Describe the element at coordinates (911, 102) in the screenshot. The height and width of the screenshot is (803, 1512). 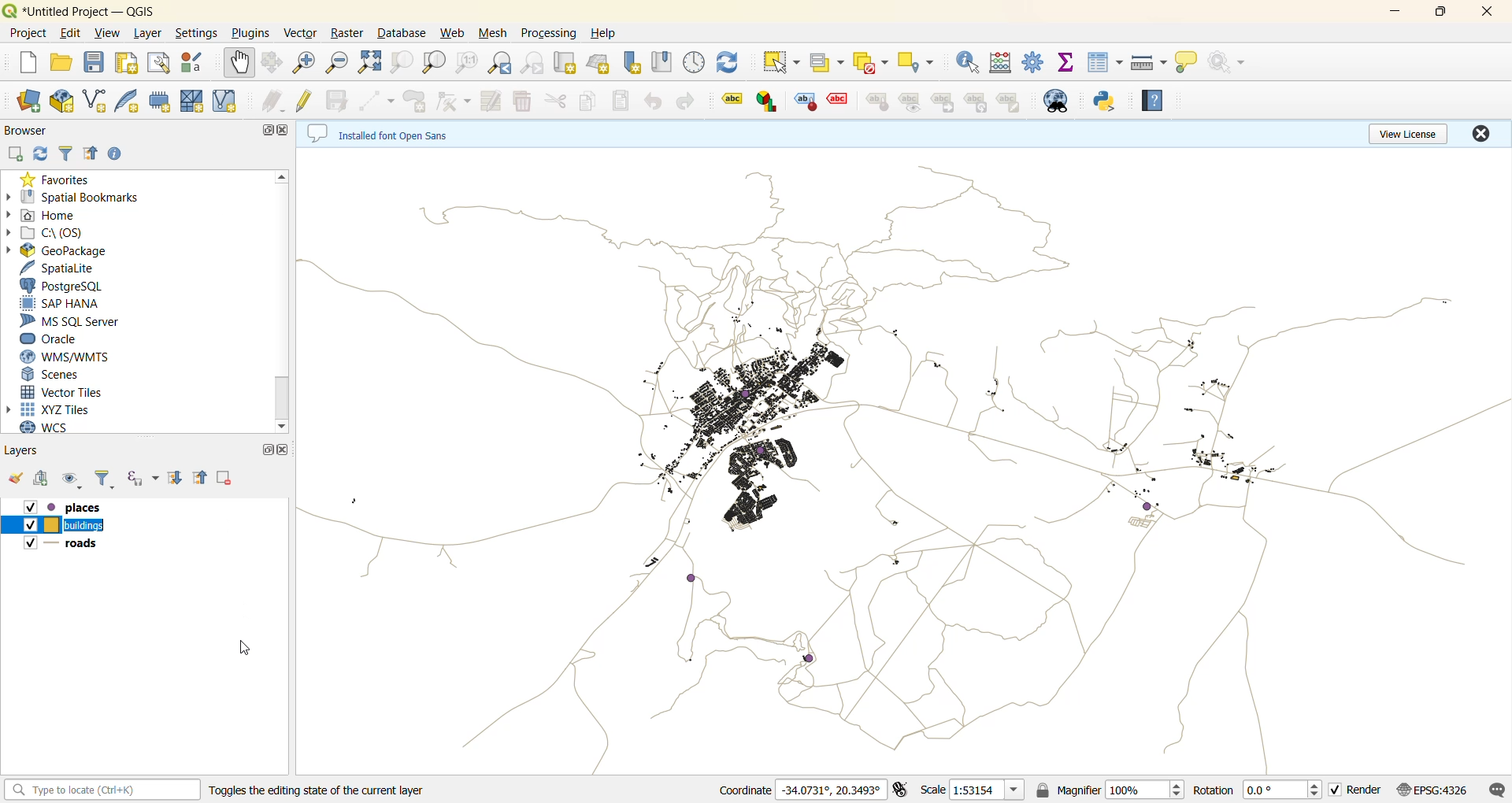
I see `preview` at that location.